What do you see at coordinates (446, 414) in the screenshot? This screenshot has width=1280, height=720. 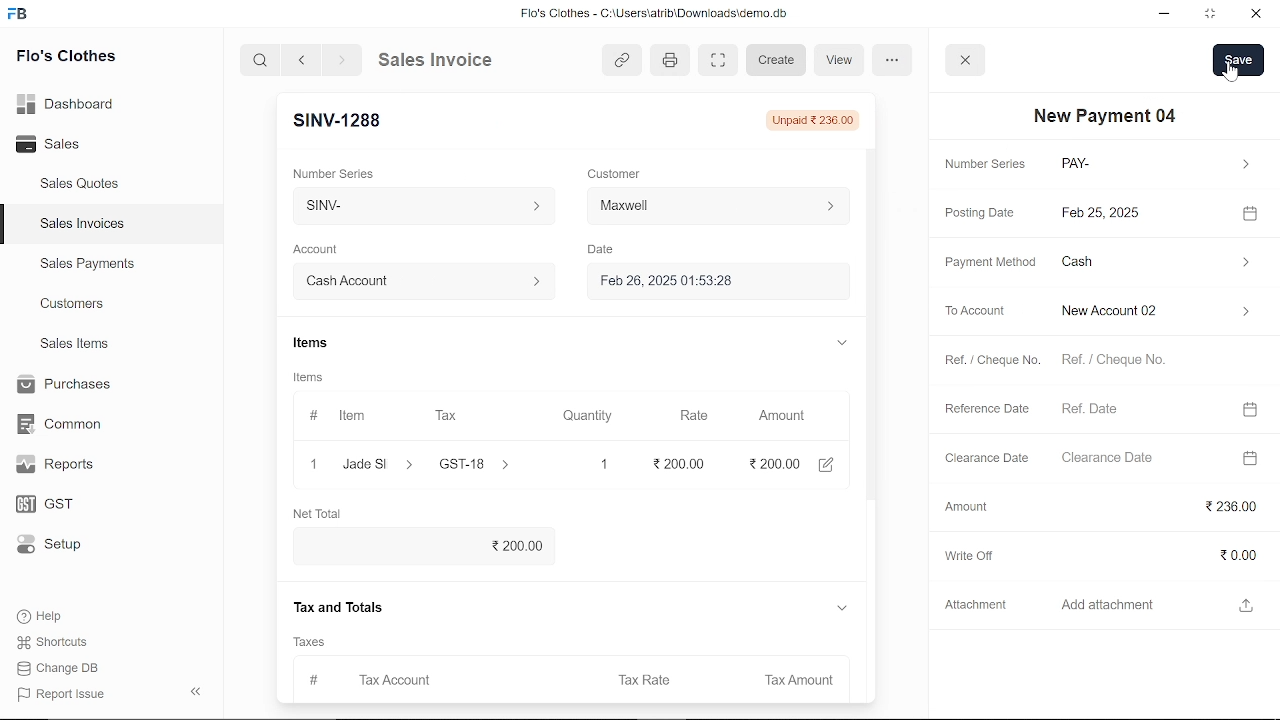 I see `Tax` at bounding box center [446, 414].